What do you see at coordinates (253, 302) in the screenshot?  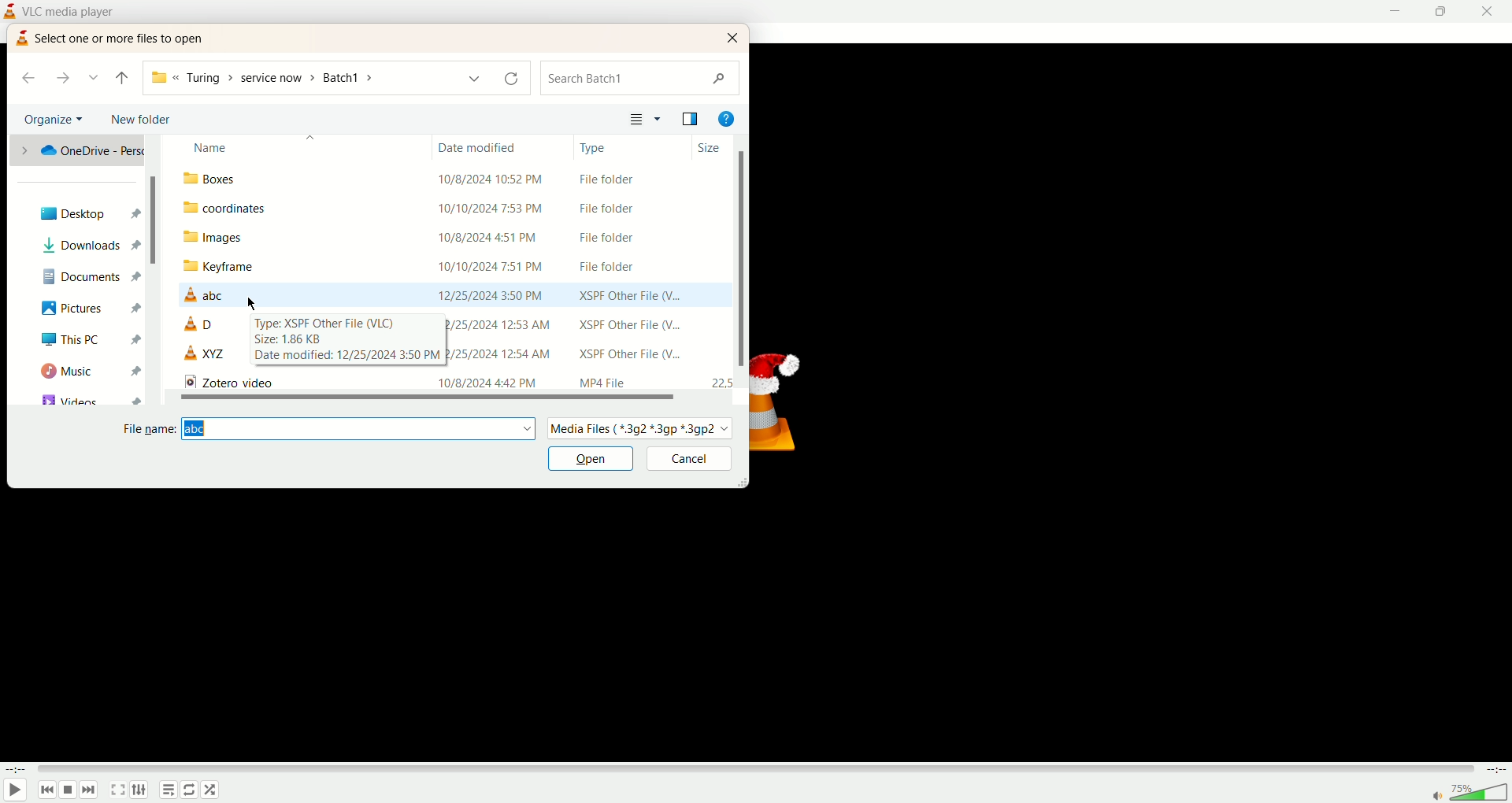 I see `cursor` at bounding box center [253, 302].